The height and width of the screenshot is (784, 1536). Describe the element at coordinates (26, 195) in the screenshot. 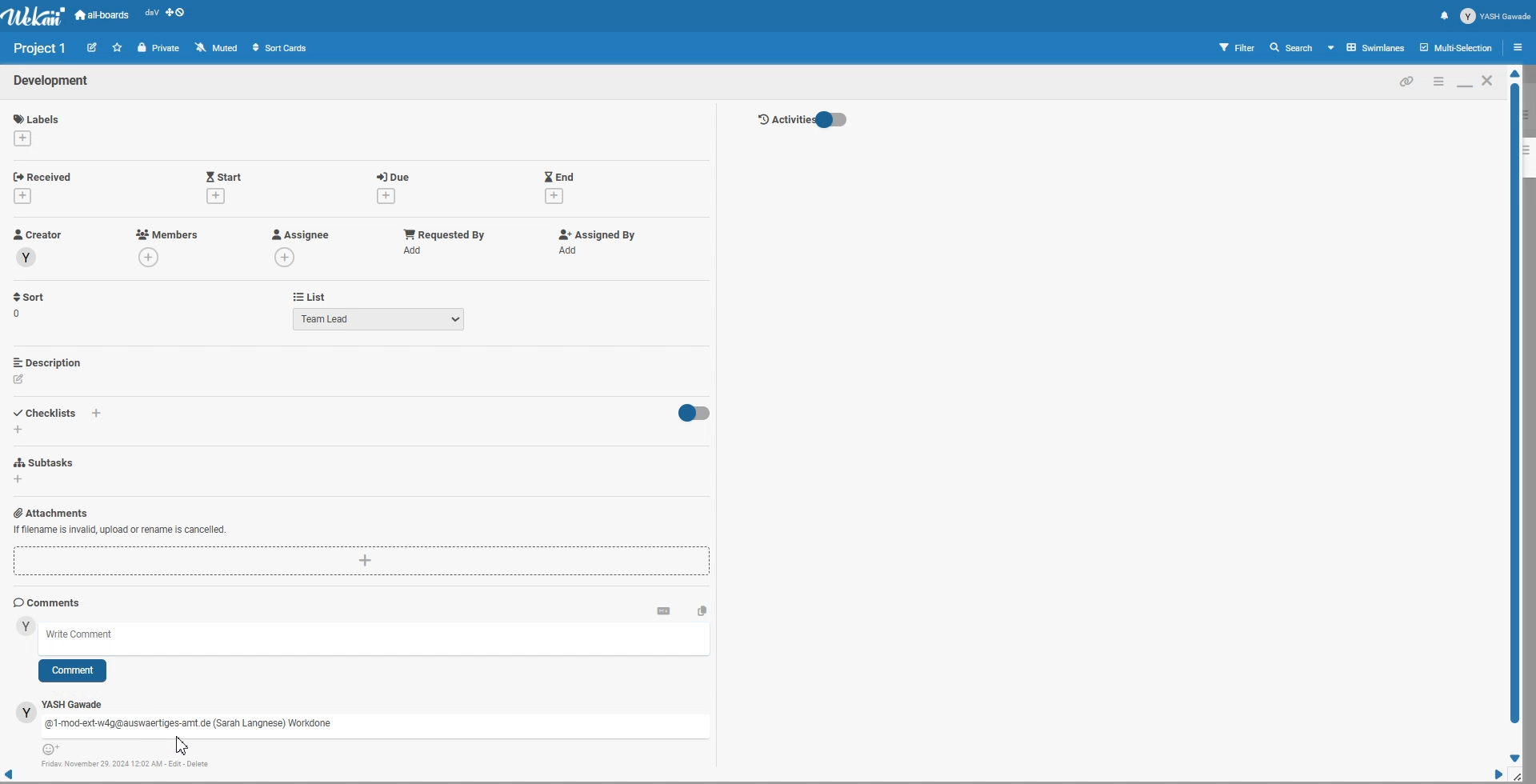

I see `add` at that location.